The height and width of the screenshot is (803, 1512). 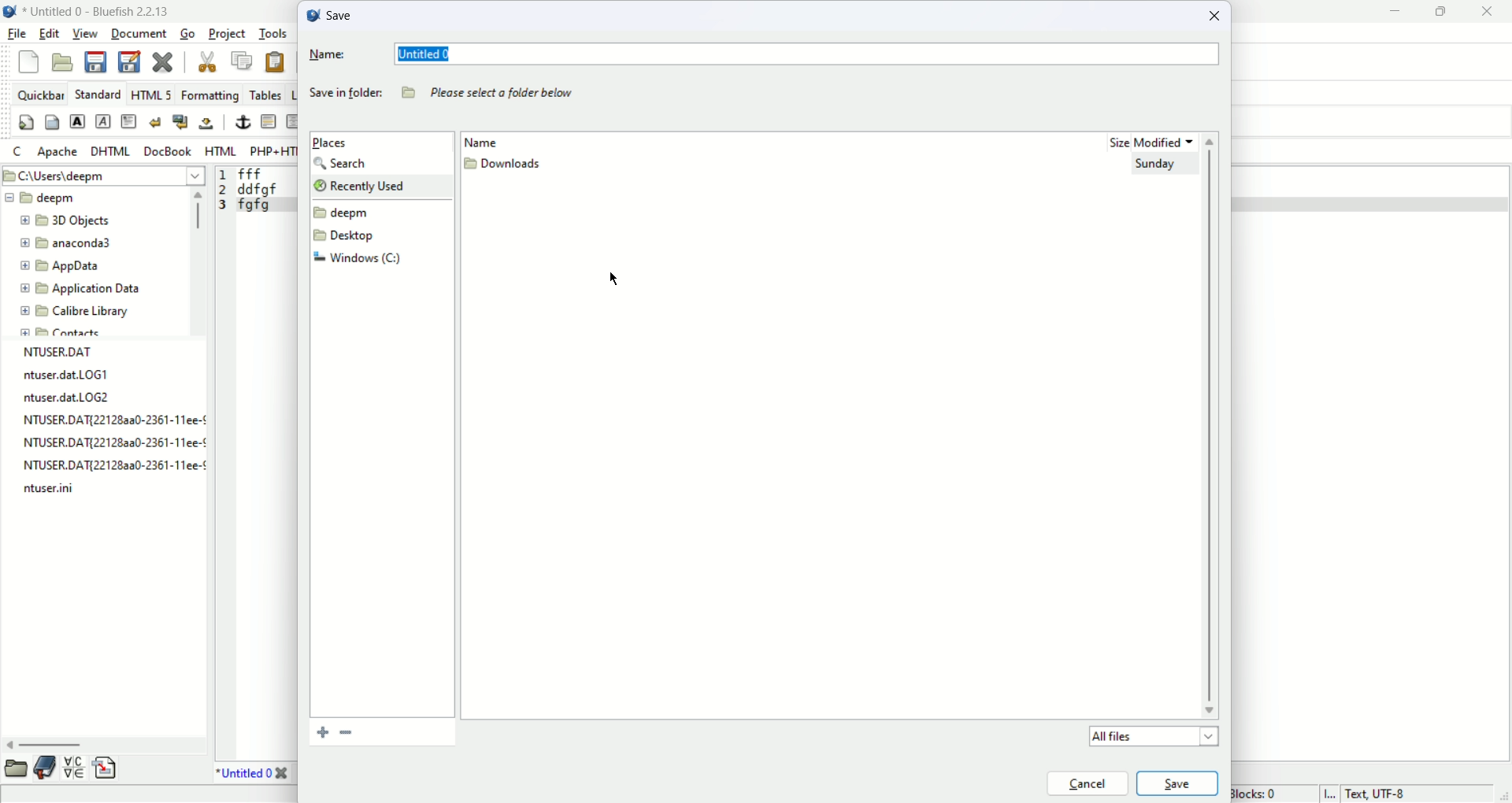 What do you see at coordinates (77, 121) in the screenshot?
I see `strong` at bounding box center [77, 121].